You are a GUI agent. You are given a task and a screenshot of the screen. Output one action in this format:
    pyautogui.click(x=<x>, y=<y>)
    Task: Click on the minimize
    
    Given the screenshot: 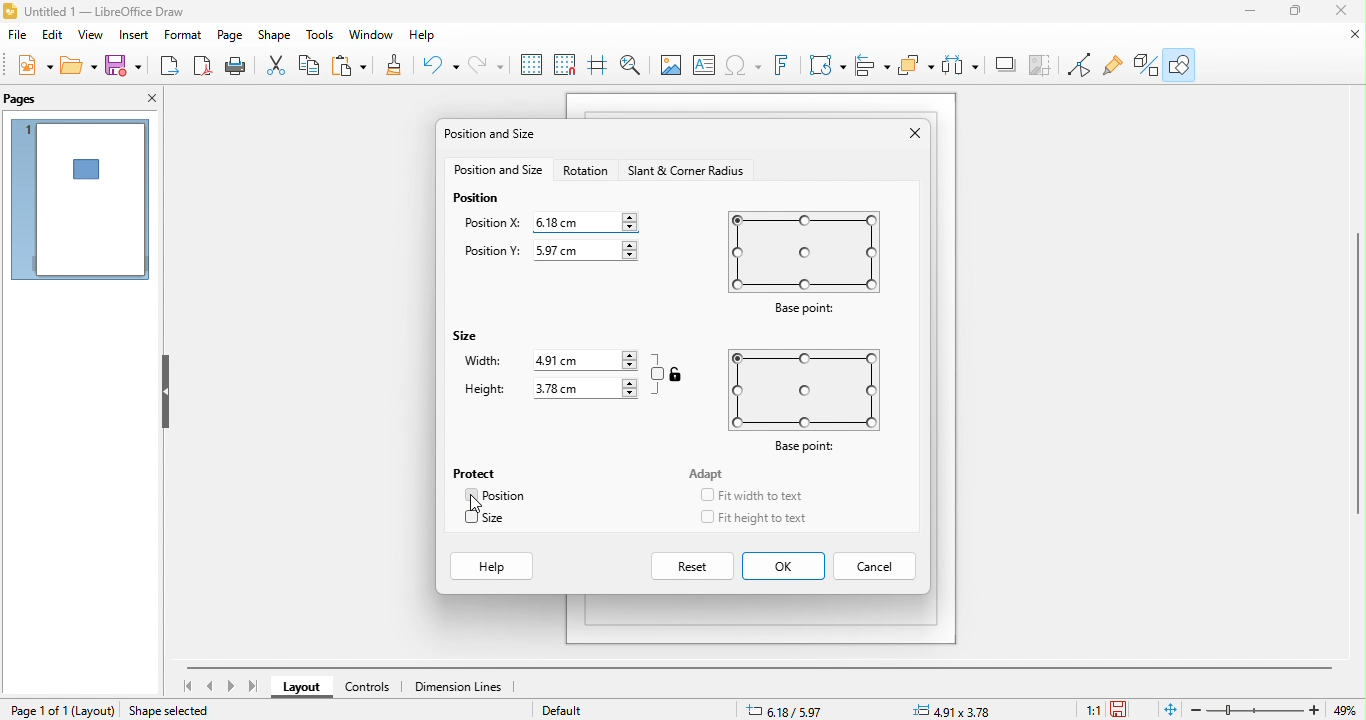 What is the action you would take?
    pyautogui.click(x=1348, y=34)
    